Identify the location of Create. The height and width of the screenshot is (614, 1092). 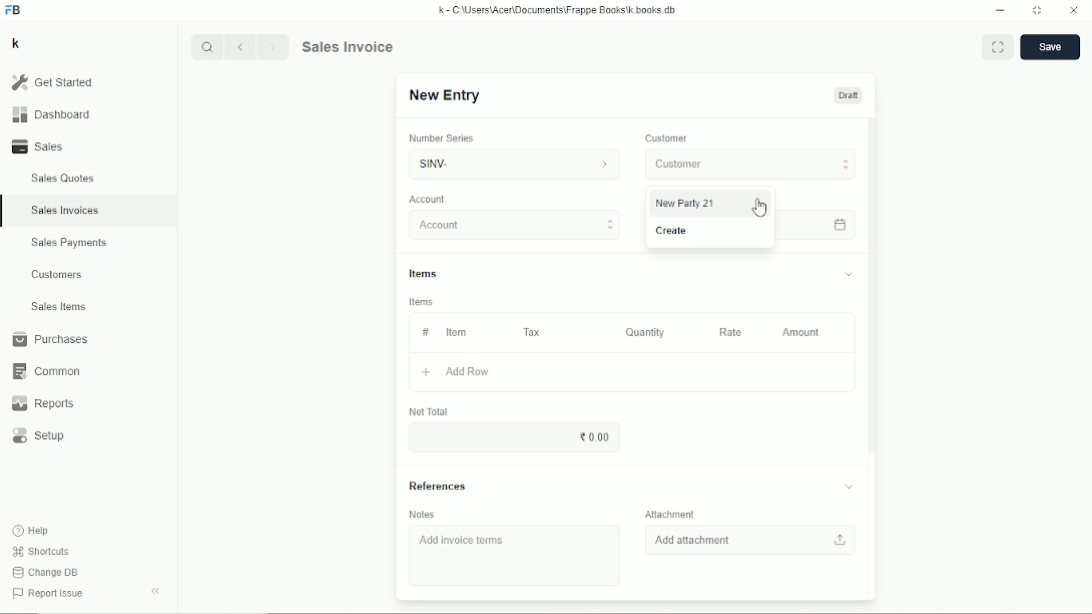
(674, 230).